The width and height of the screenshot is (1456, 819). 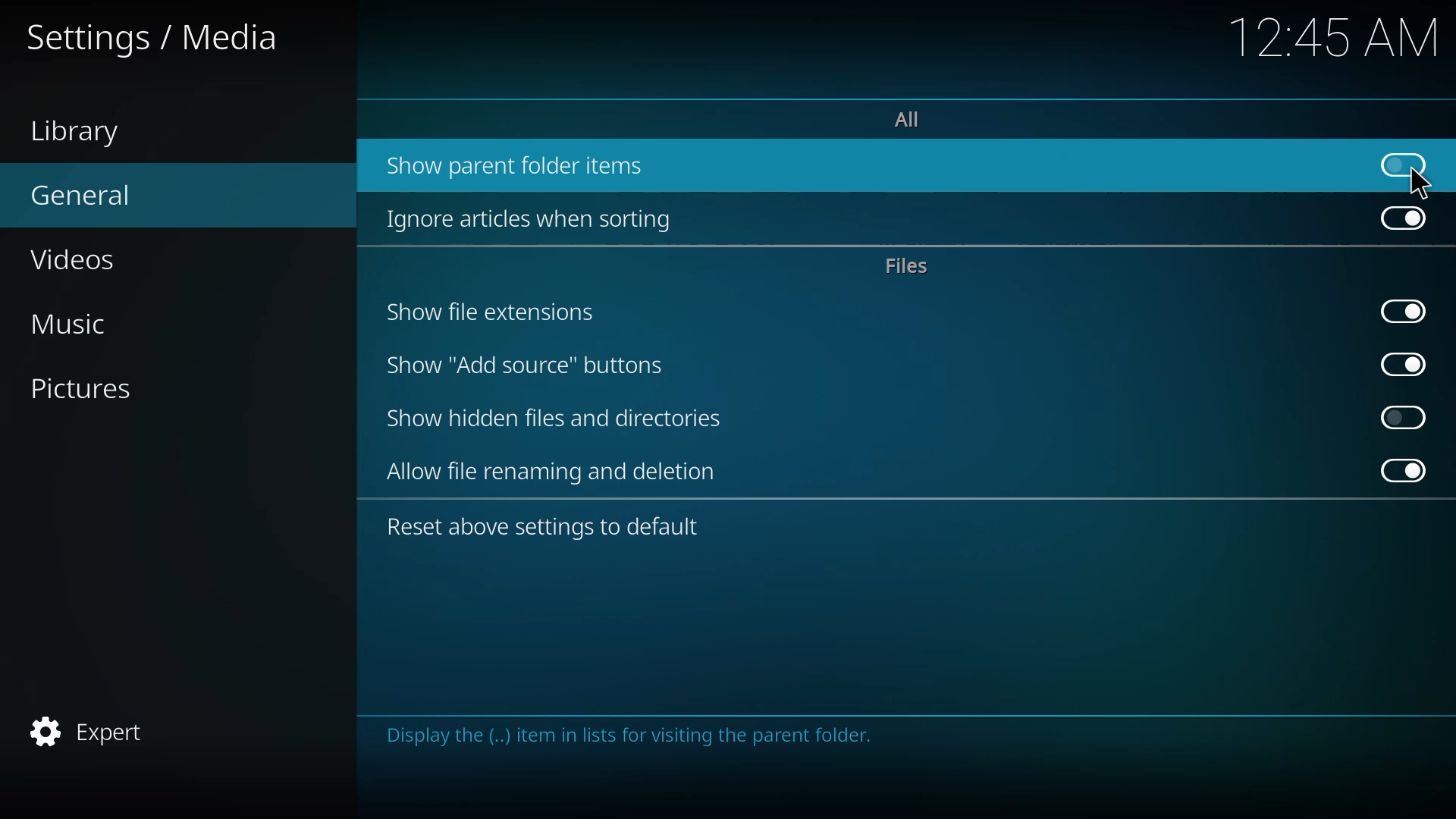 What do you see at coordinates (1402, 309) in the screenshot?
I see `enabled` at bounding box center [1402, 309].